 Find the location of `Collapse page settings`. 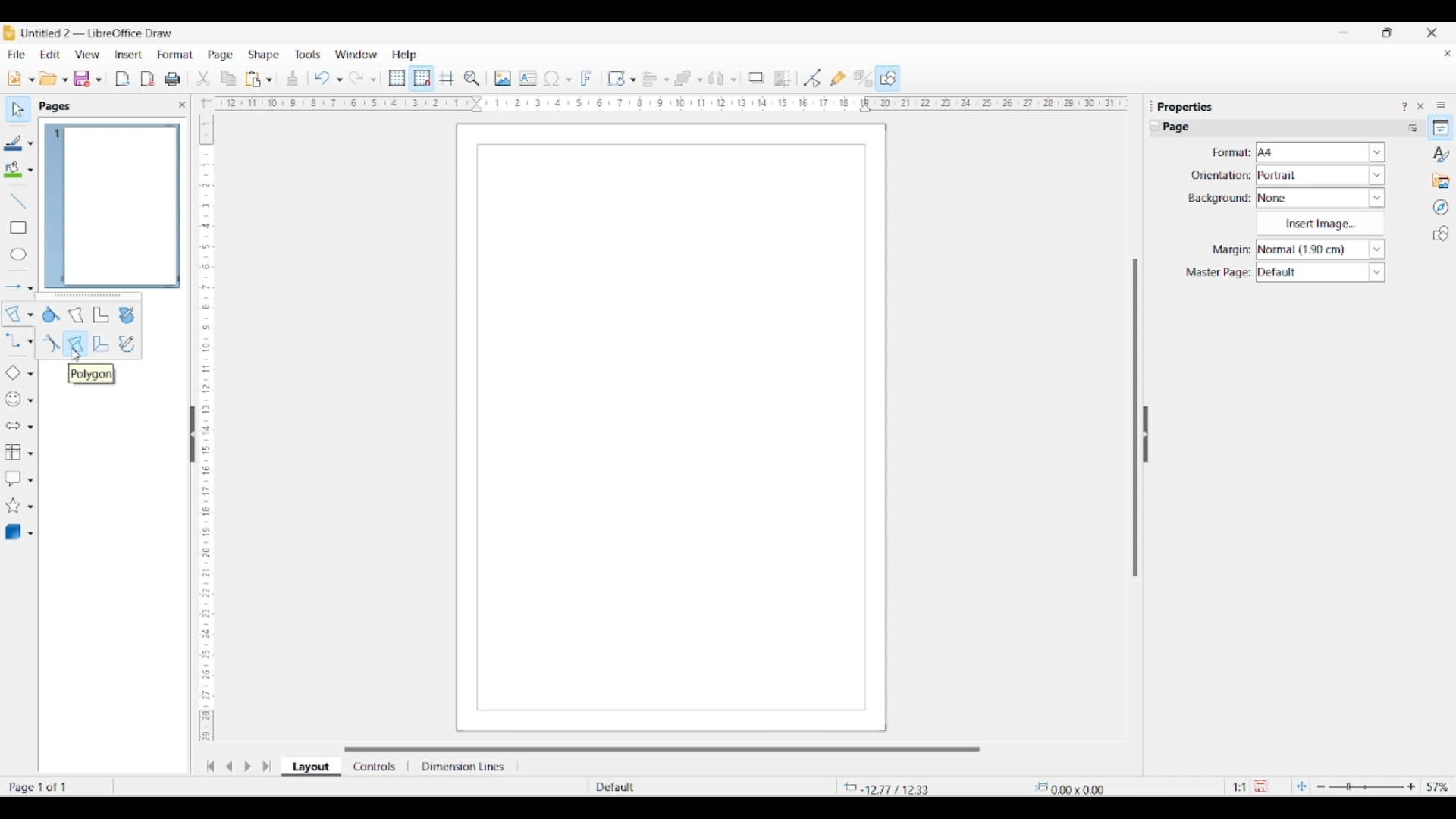

Collapse page settings is located at coordinates (1155, 126).